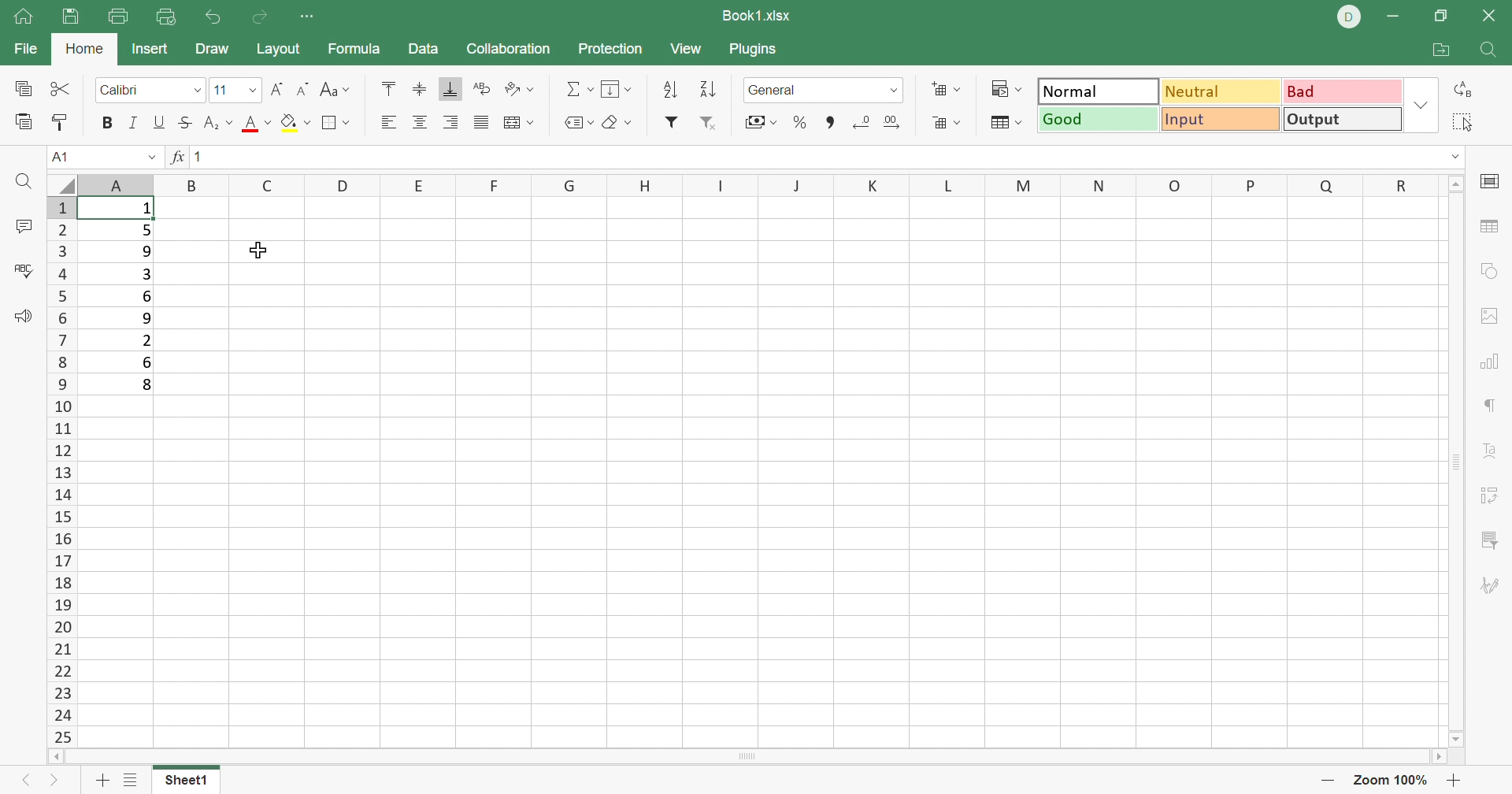 Image resolution: width=1512 pixels, height=794 pixels. I want to click on Align bottom, so click(447, 87).